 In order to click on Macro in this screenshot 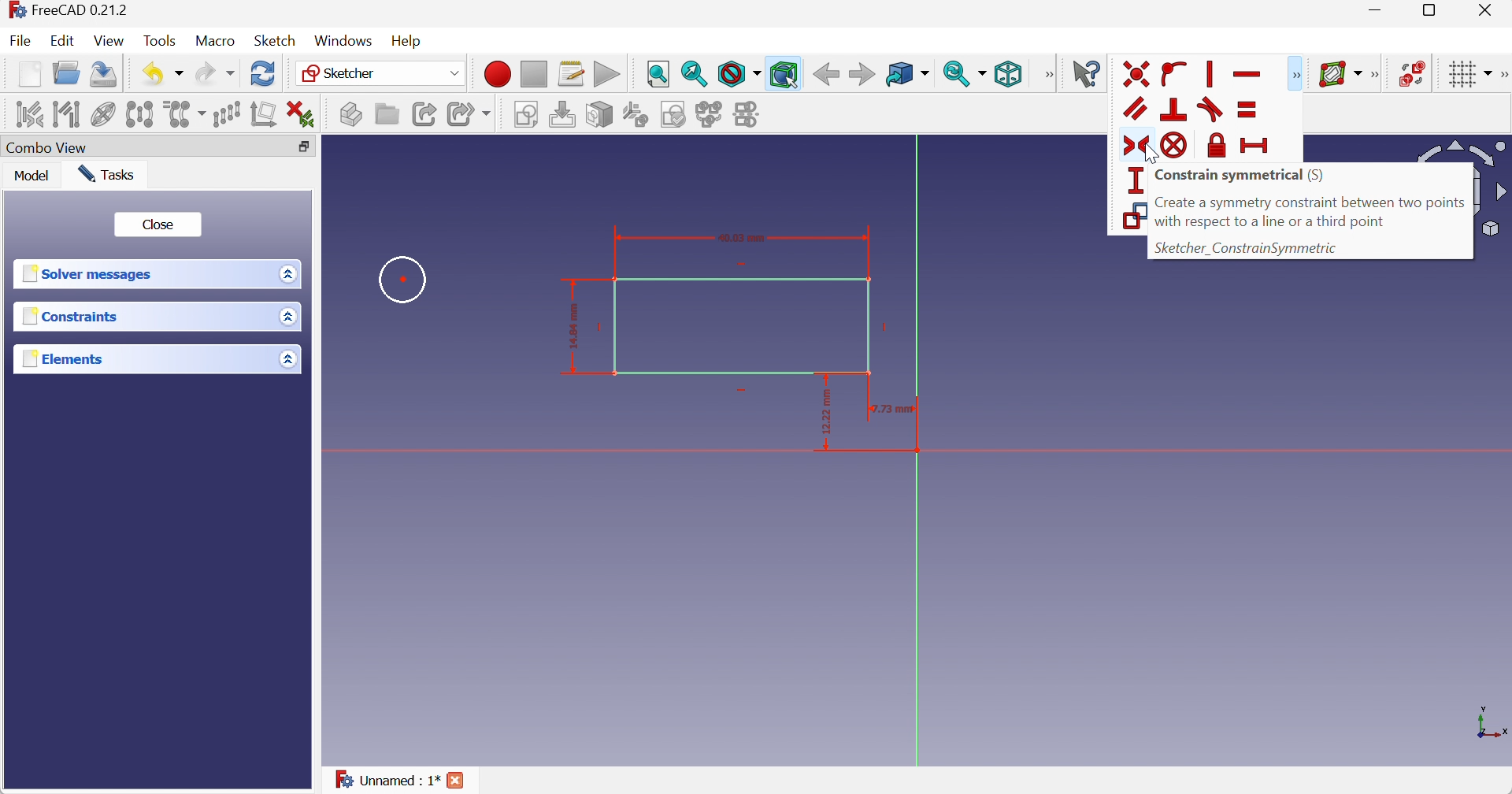, I will do `click(213, 41)`.